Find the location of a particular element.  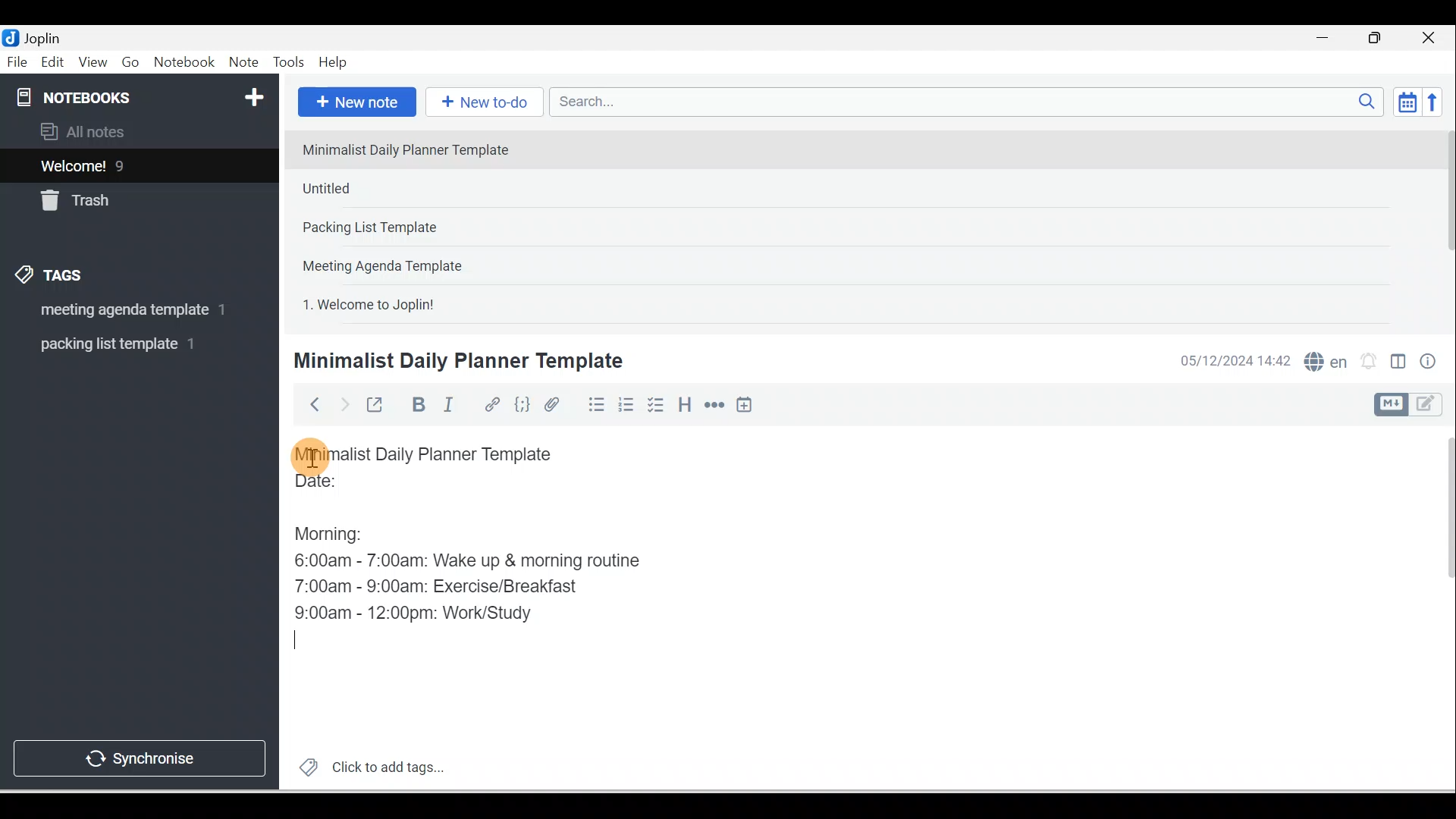

Checkbox is located at coordinates (654, 405).